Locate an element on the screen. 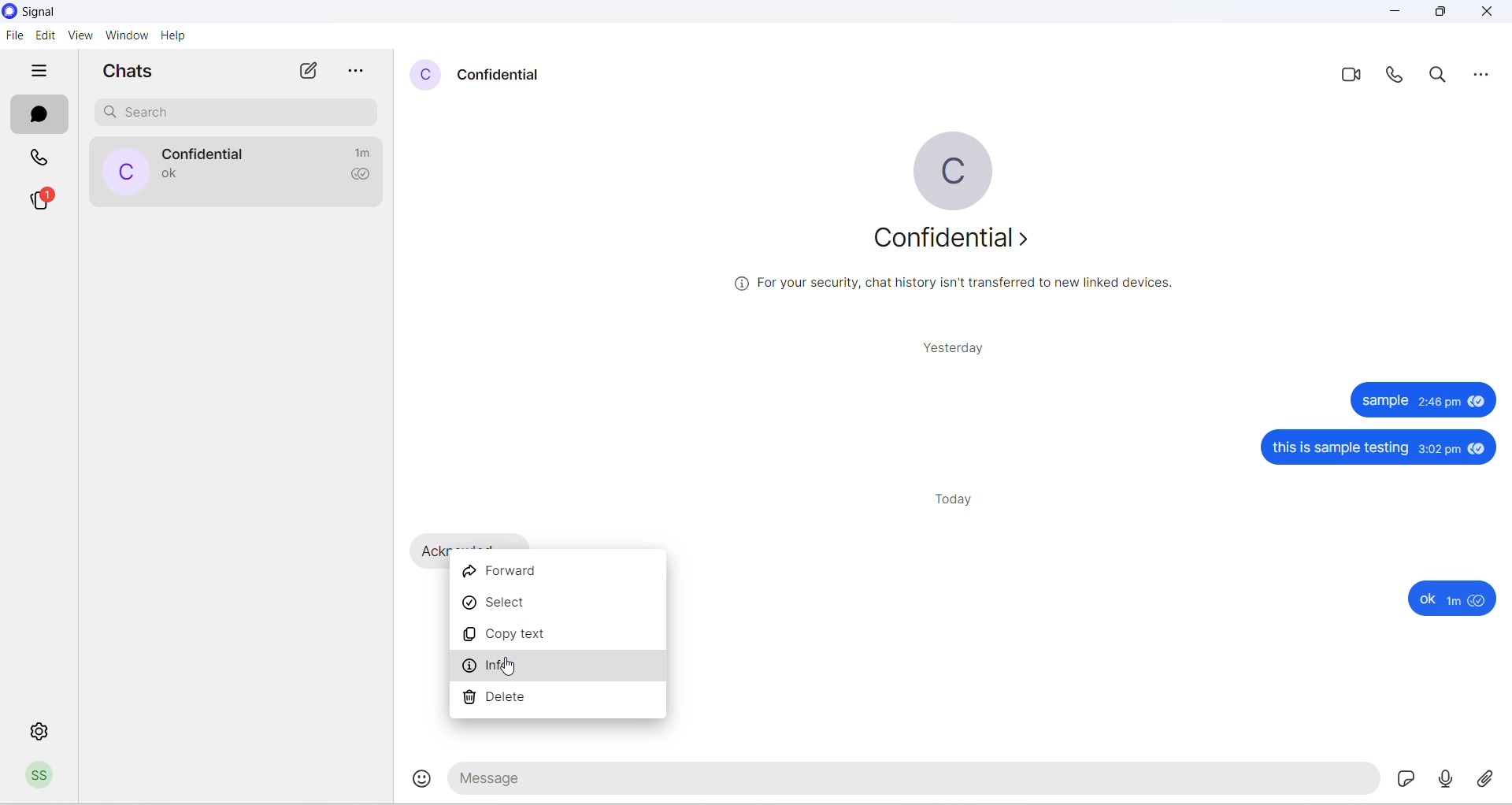  video call is located at coordinates (1352, 76).